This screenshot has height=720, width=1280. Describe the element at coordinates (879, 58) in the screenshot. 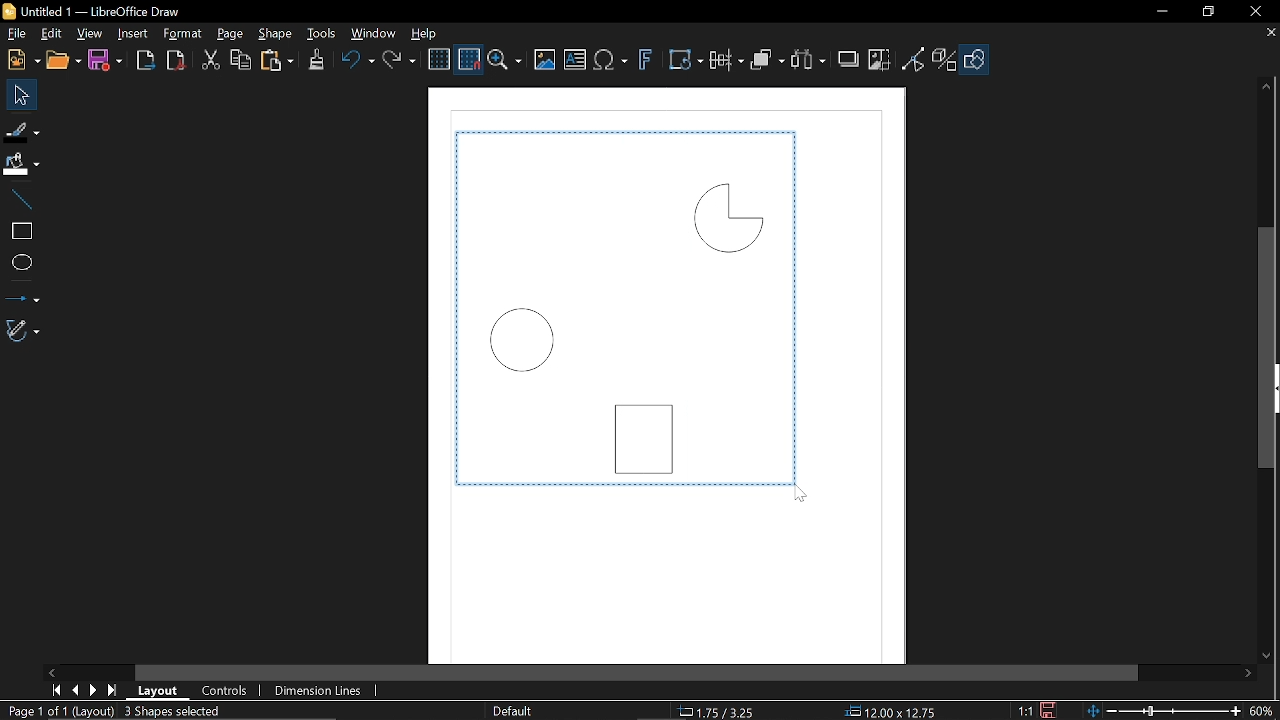

I see `Crop` at that location.